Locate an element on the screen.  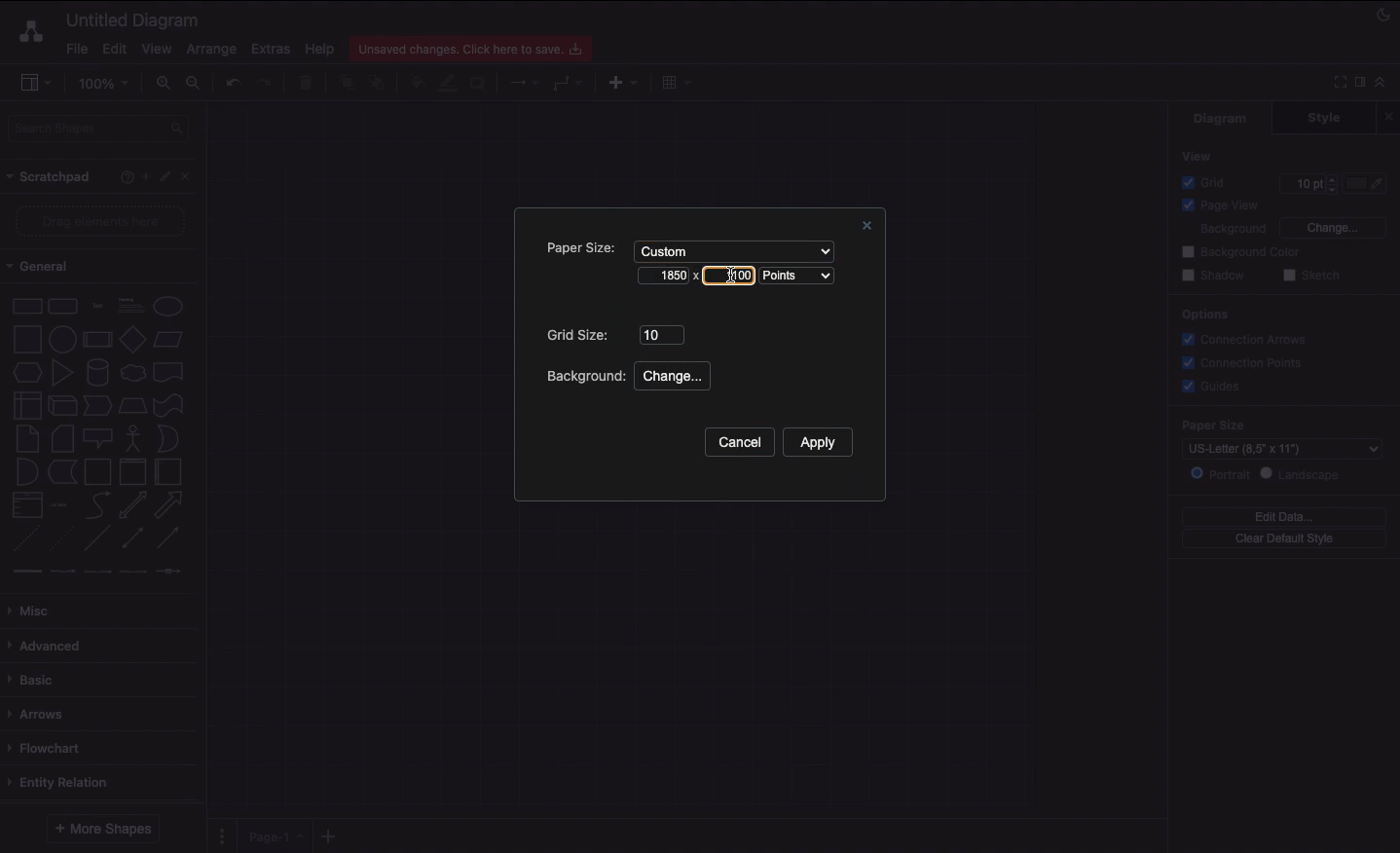
Trash is located at coordinates (309, 84).